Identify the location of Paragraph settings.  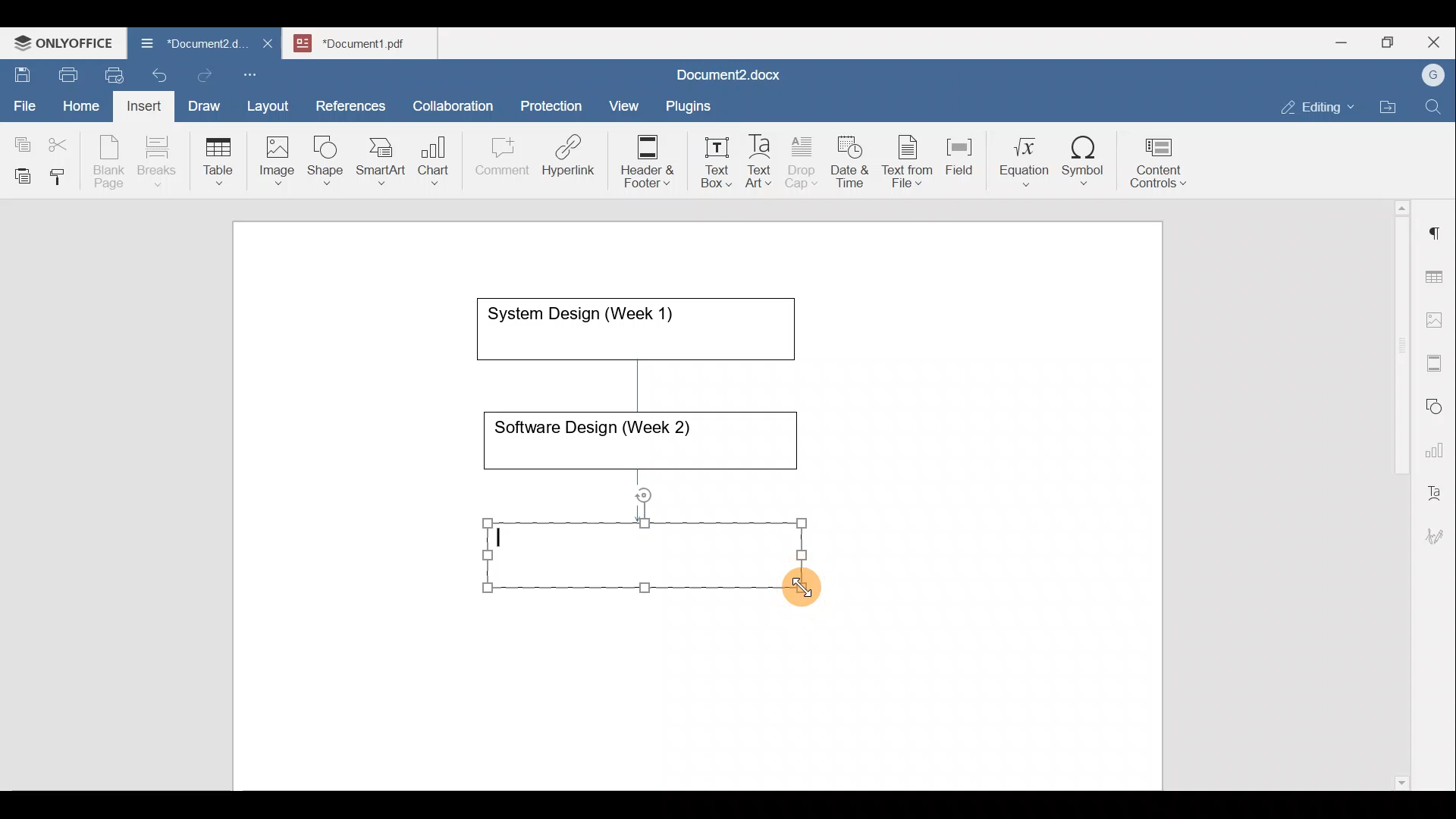
(1436, 227).